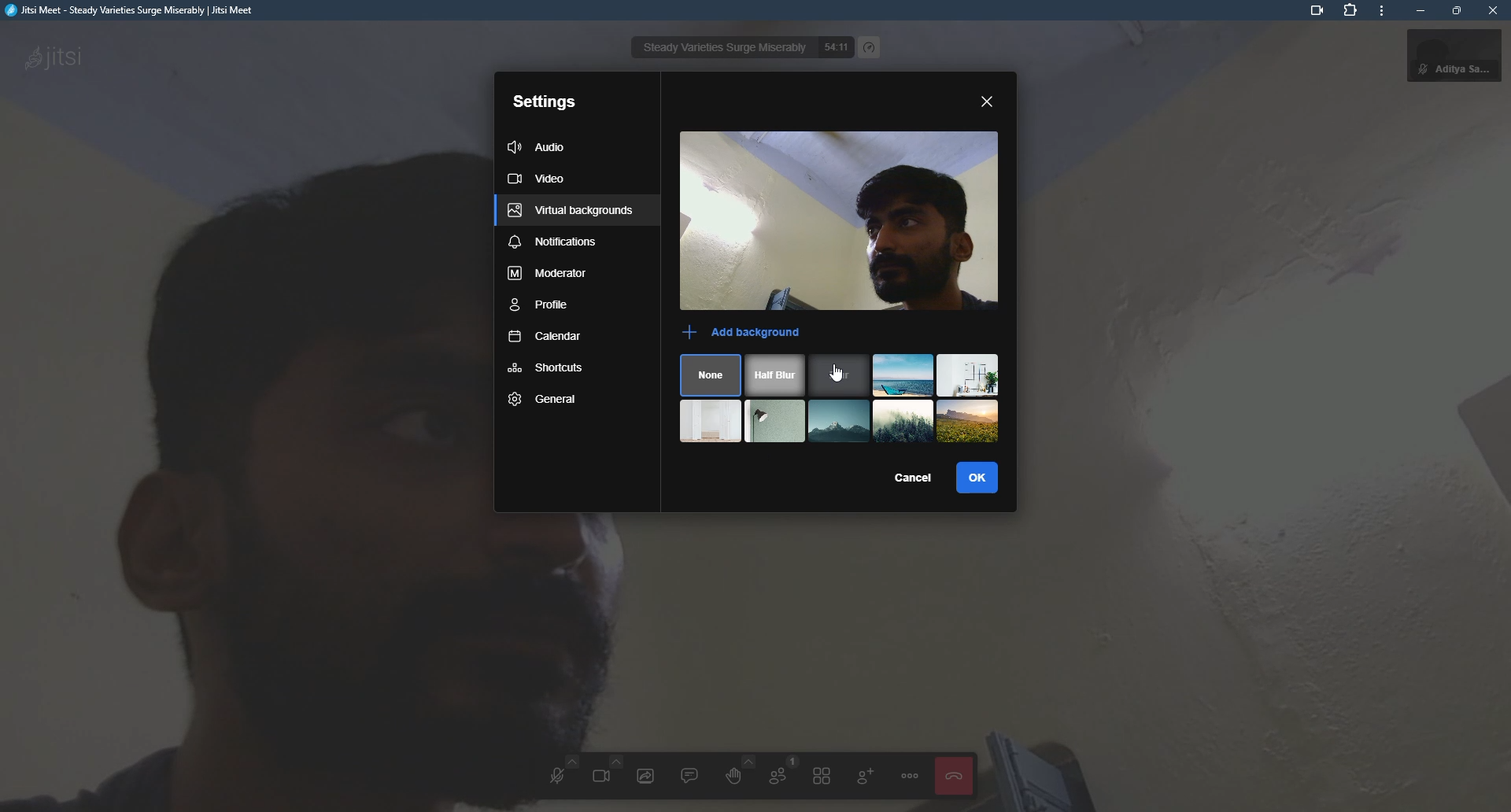 The width and height of the screenshot is (1511, 812). I want to click on camera, so click(1311, 12).